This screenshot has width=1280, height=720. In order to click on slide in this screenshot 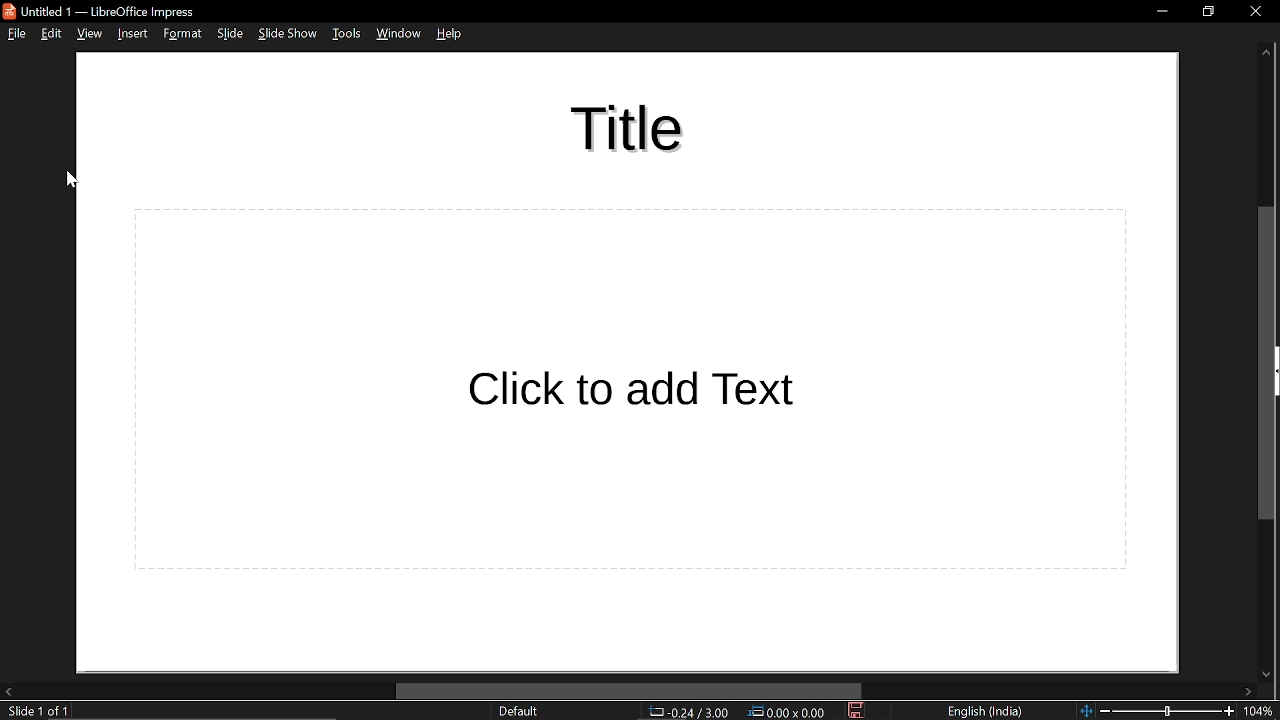, I will do `click(233, 34)`.